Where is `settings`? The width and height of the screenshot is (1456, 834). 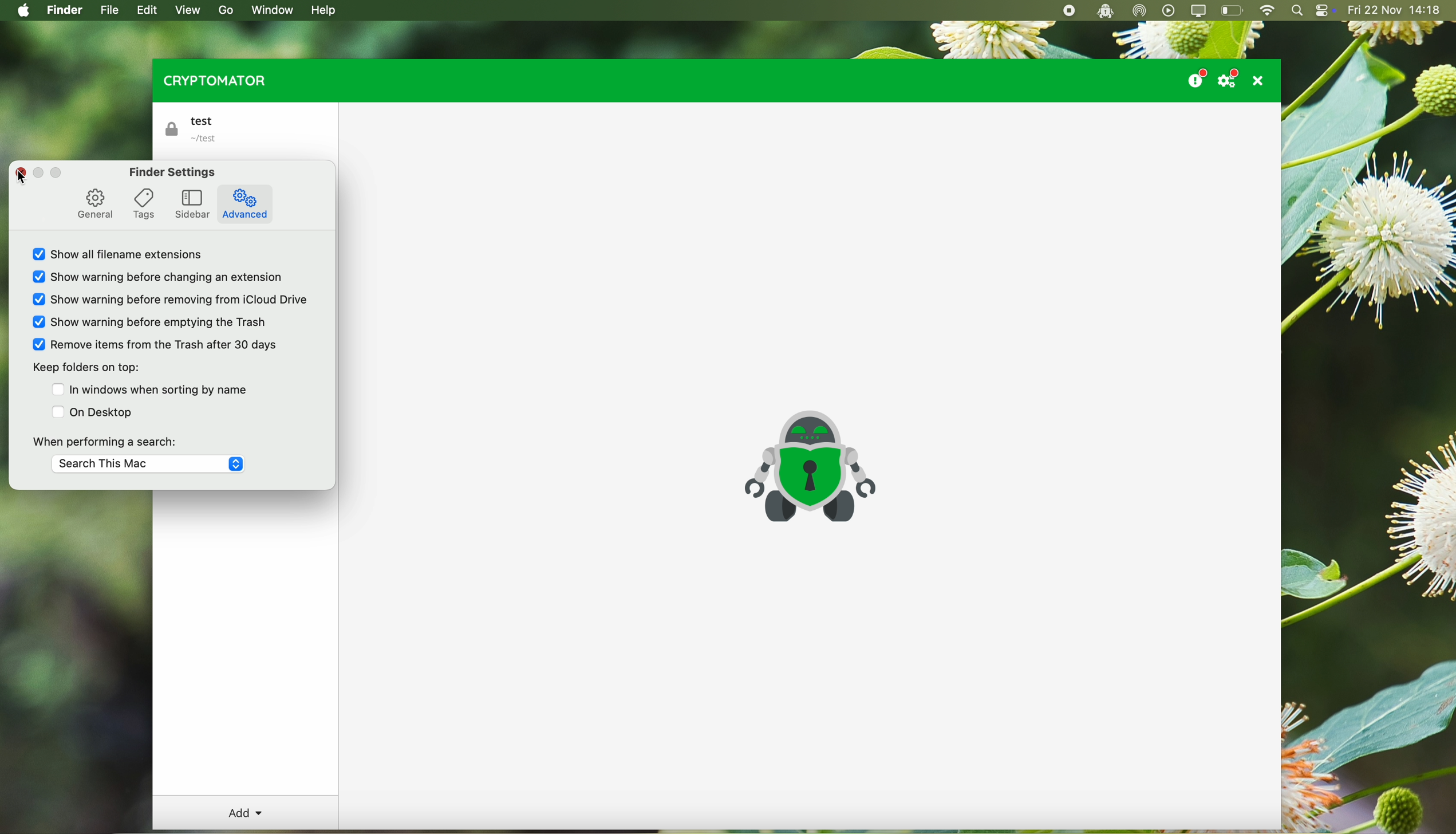 settings is located at coordinates (1231, 78).